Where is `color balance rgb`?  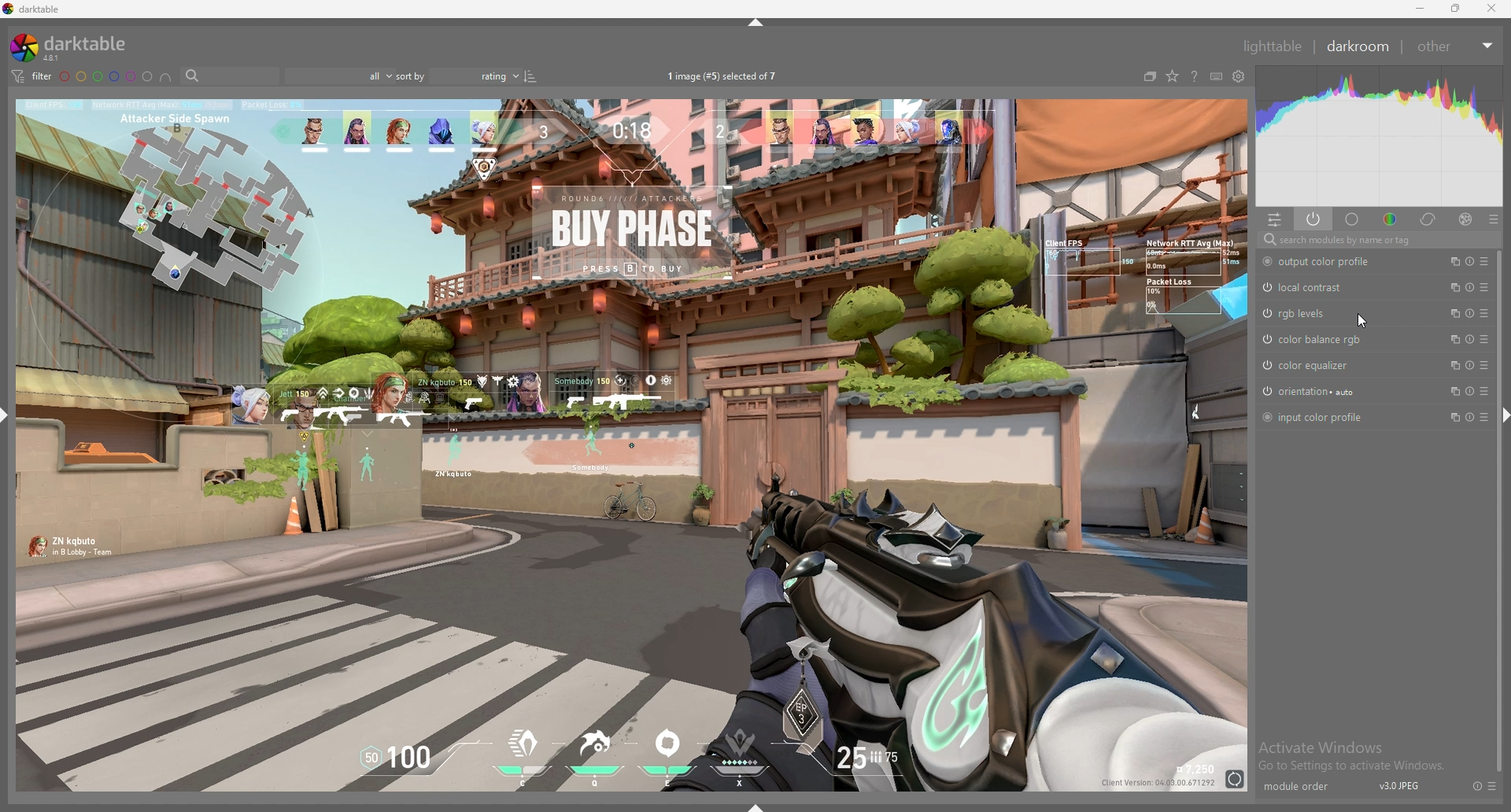
color balance rgb is located at coordinates (1321, 339).